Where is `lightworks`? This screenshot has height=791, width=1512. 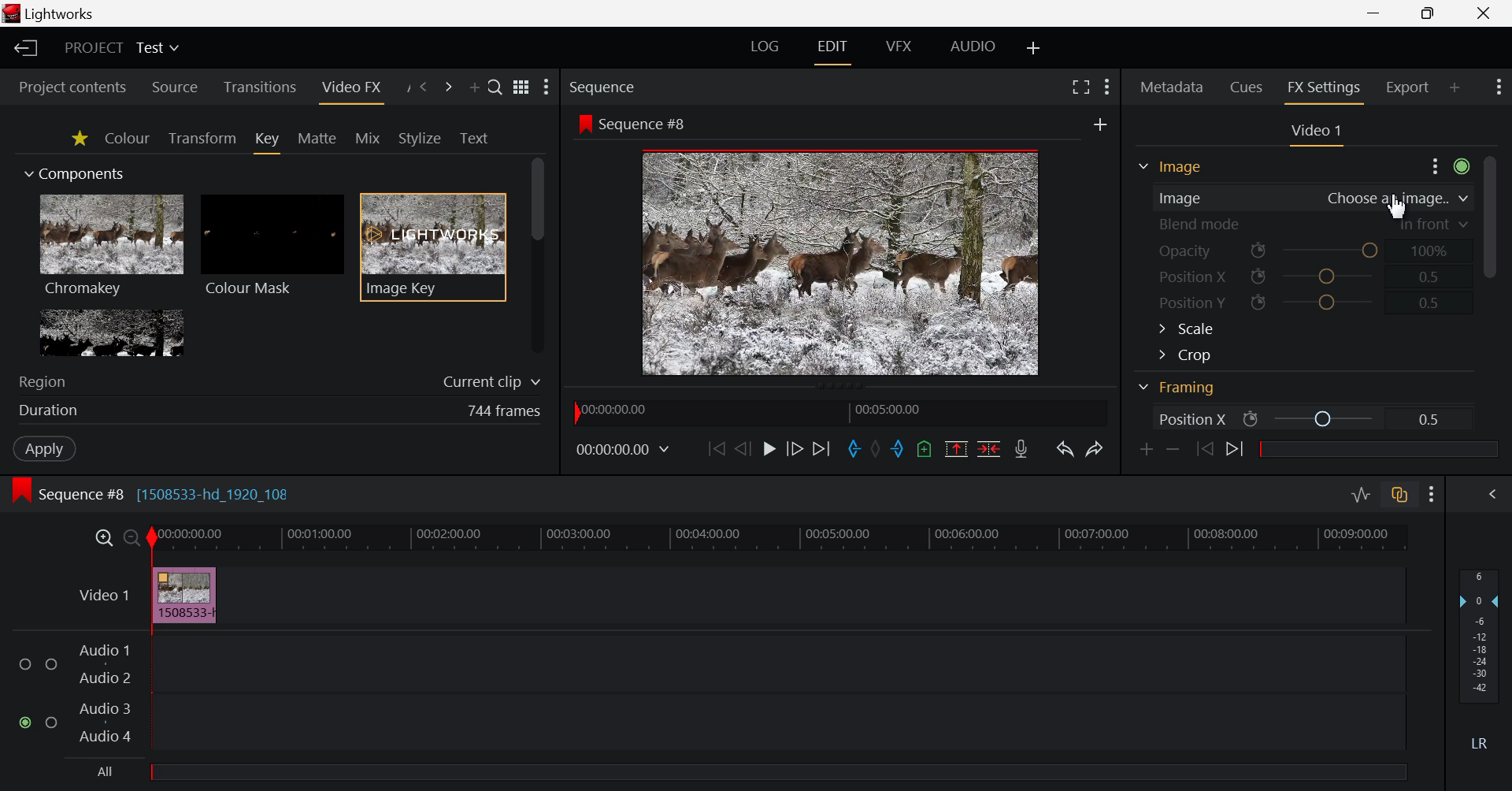 lightworks is located at coordinates (52, 14).